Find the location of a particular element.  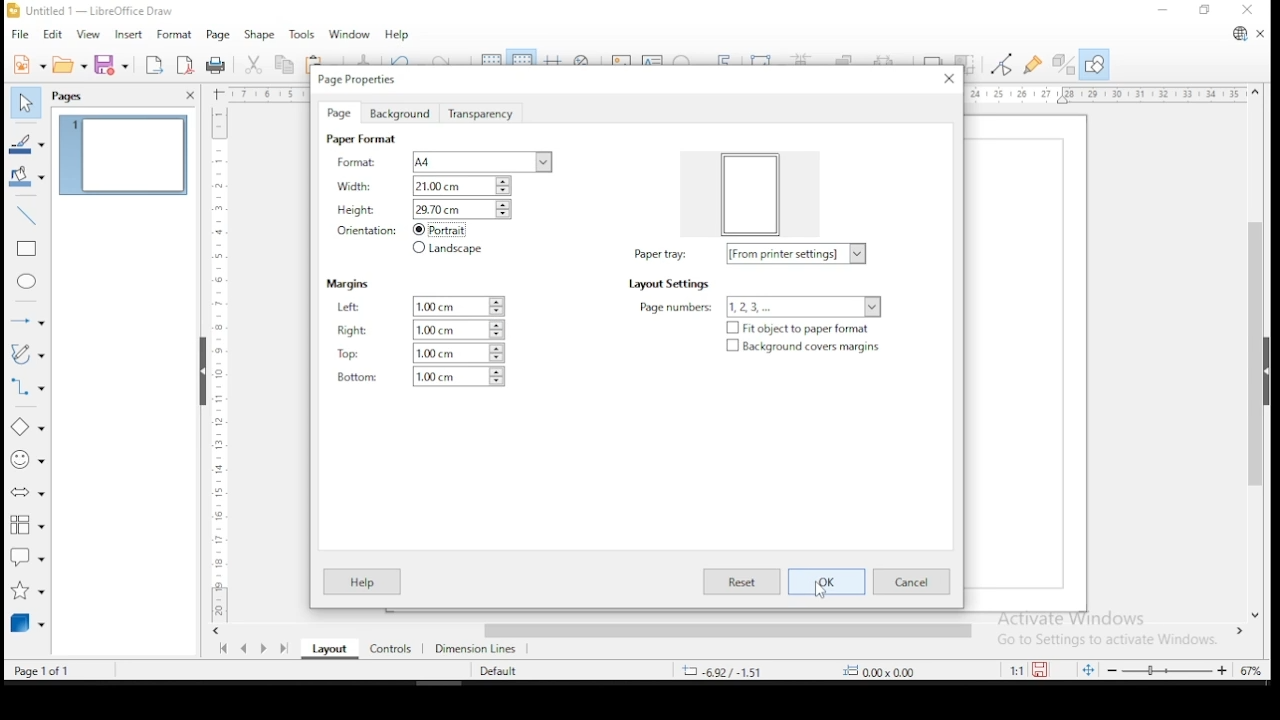

paste is located at coordinates (320, 60).